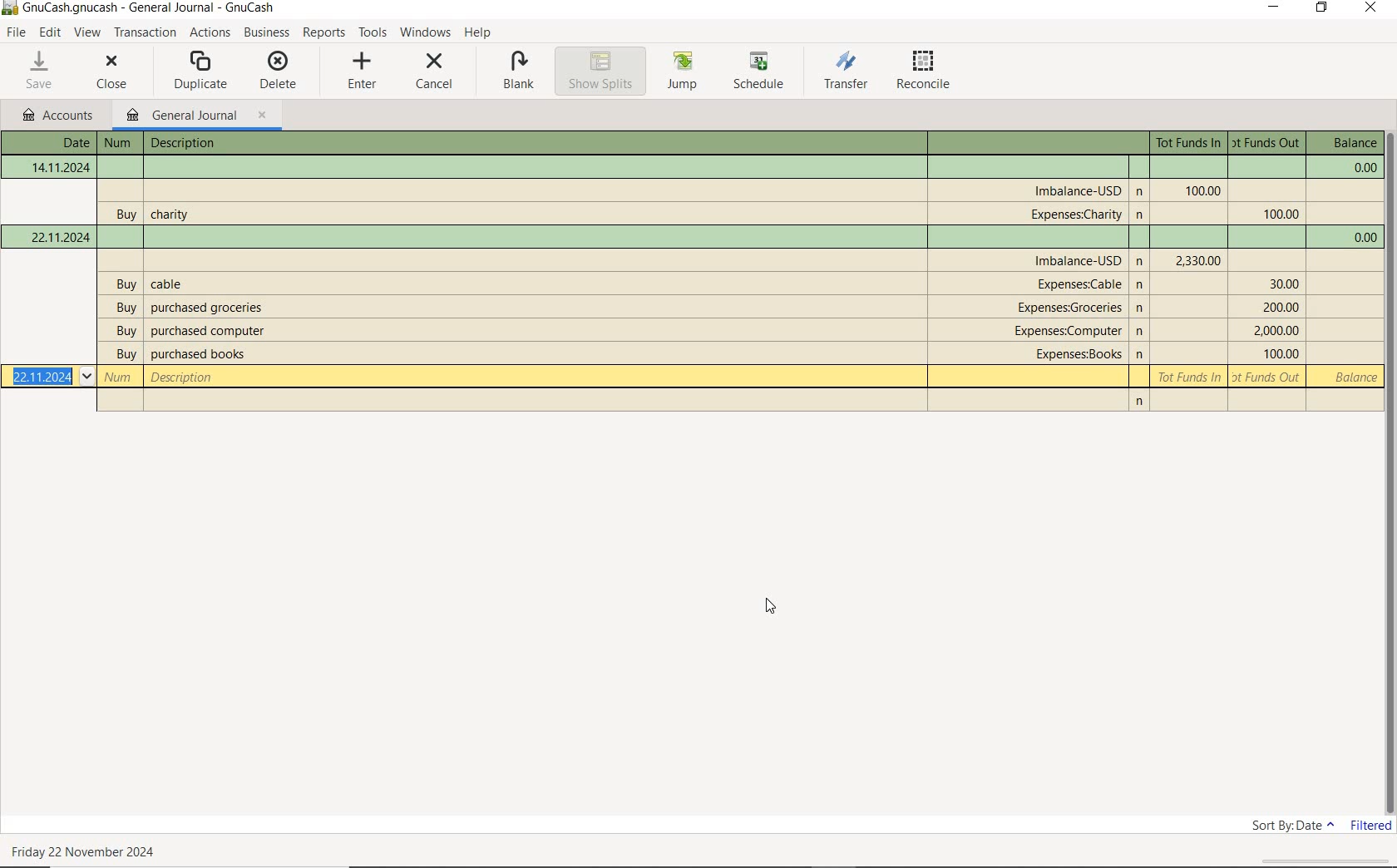  Describe the element at coordinates (19, 33) in the screenshot. I see `FILE` at that location.